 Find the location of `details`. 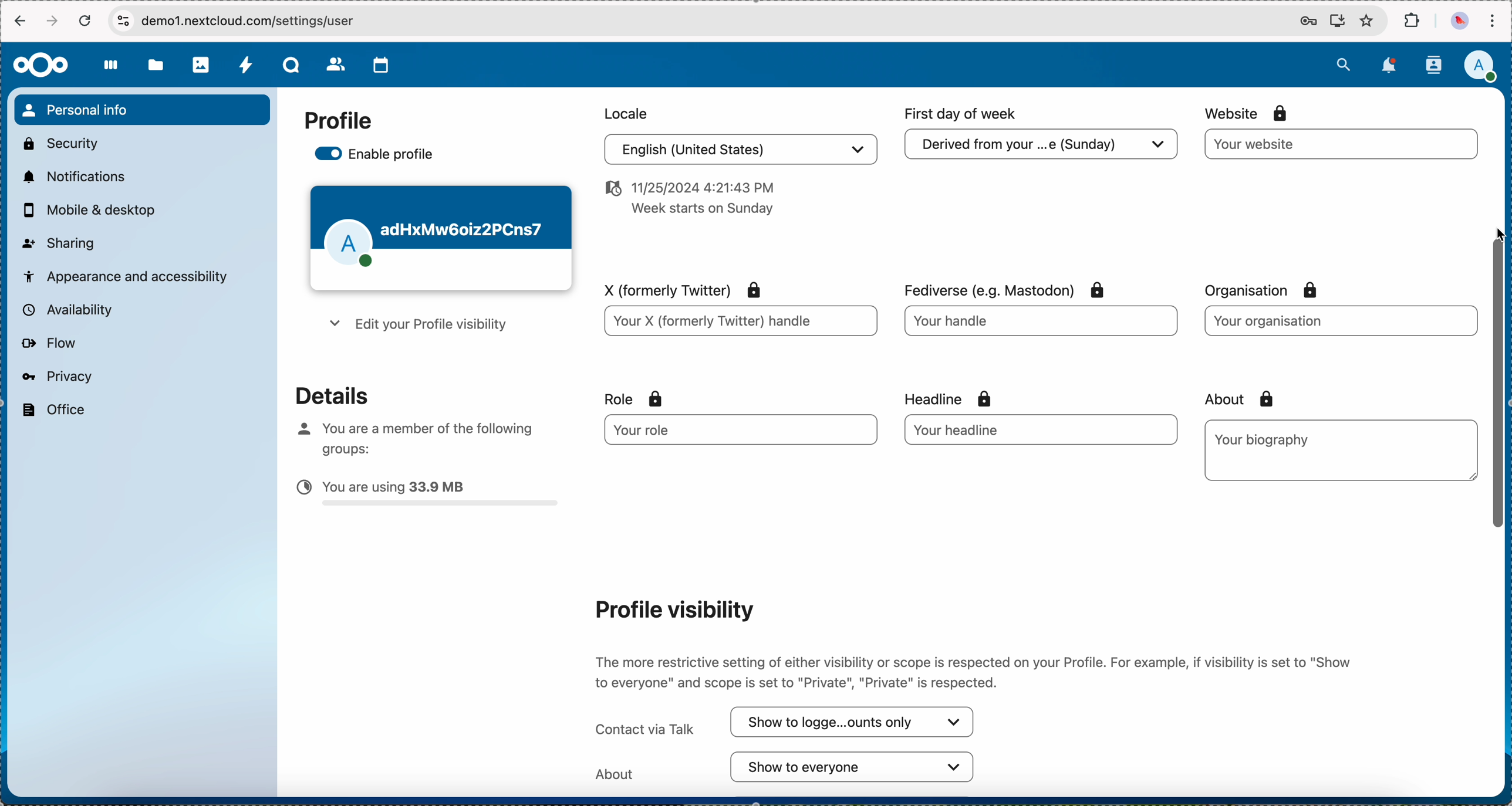

details is located at coordinates (322, 394).